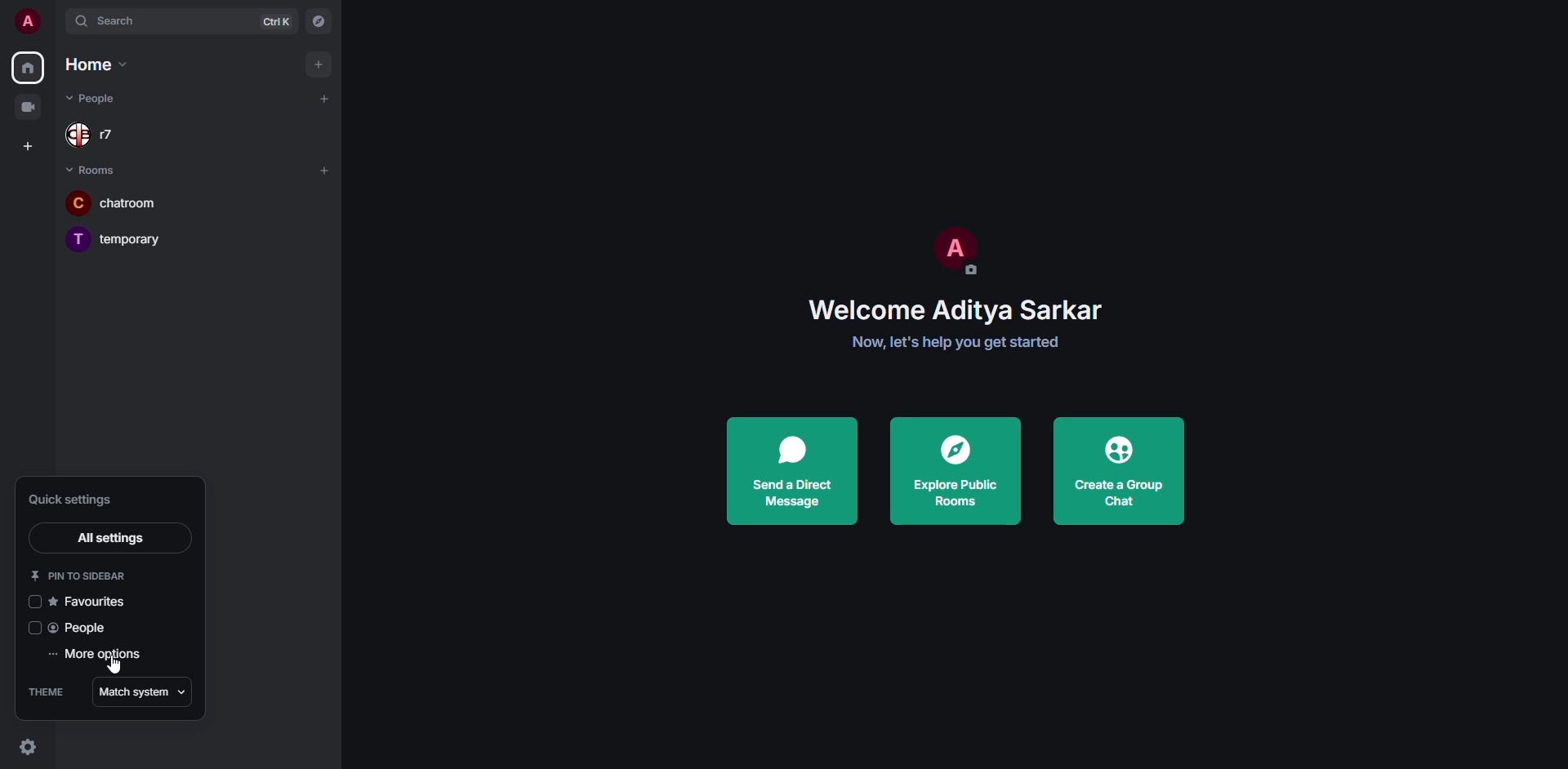 Image resolution: width=1568 pixels, height=769 pixels. I want to click on add, so click(325, 96).